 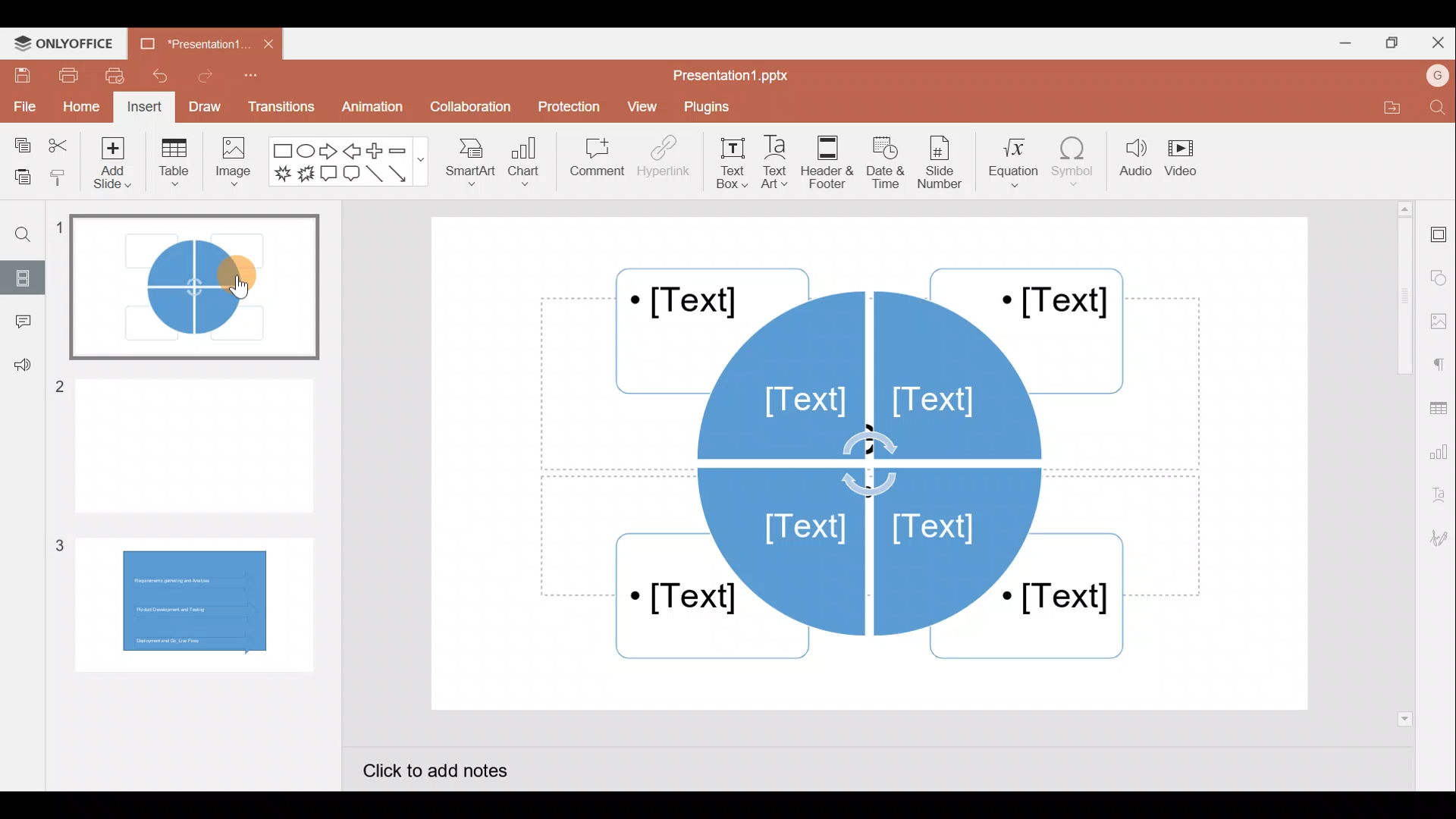 I want to click on Hyperlink, so click(x=664, y=162).